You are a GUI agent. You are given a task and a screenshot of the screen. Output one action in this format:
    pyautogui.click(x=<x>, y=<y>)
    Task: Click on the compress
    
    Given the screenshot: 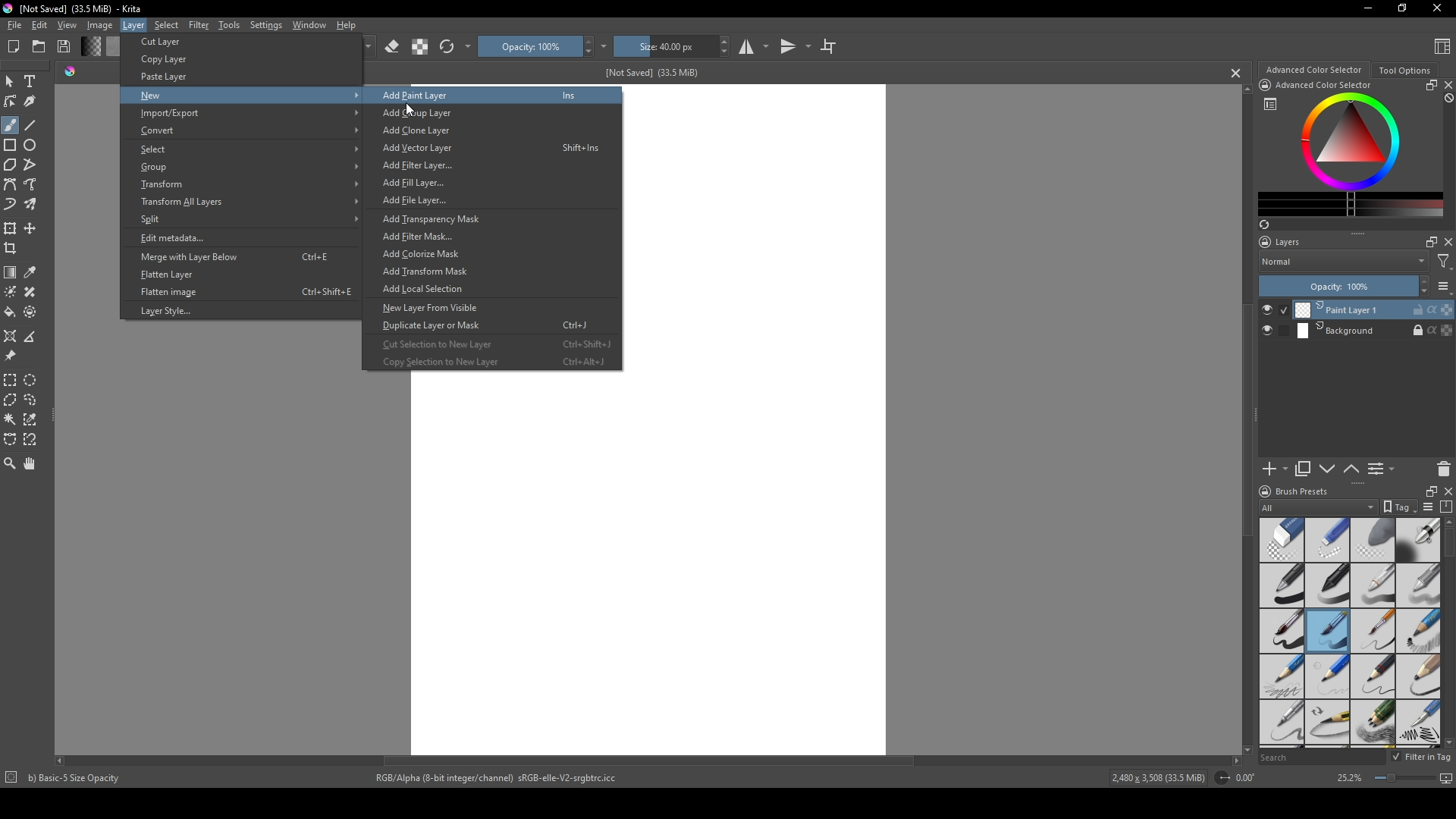 What is the action you would take?
    pyautogui.click(x=1447, y=507)
    